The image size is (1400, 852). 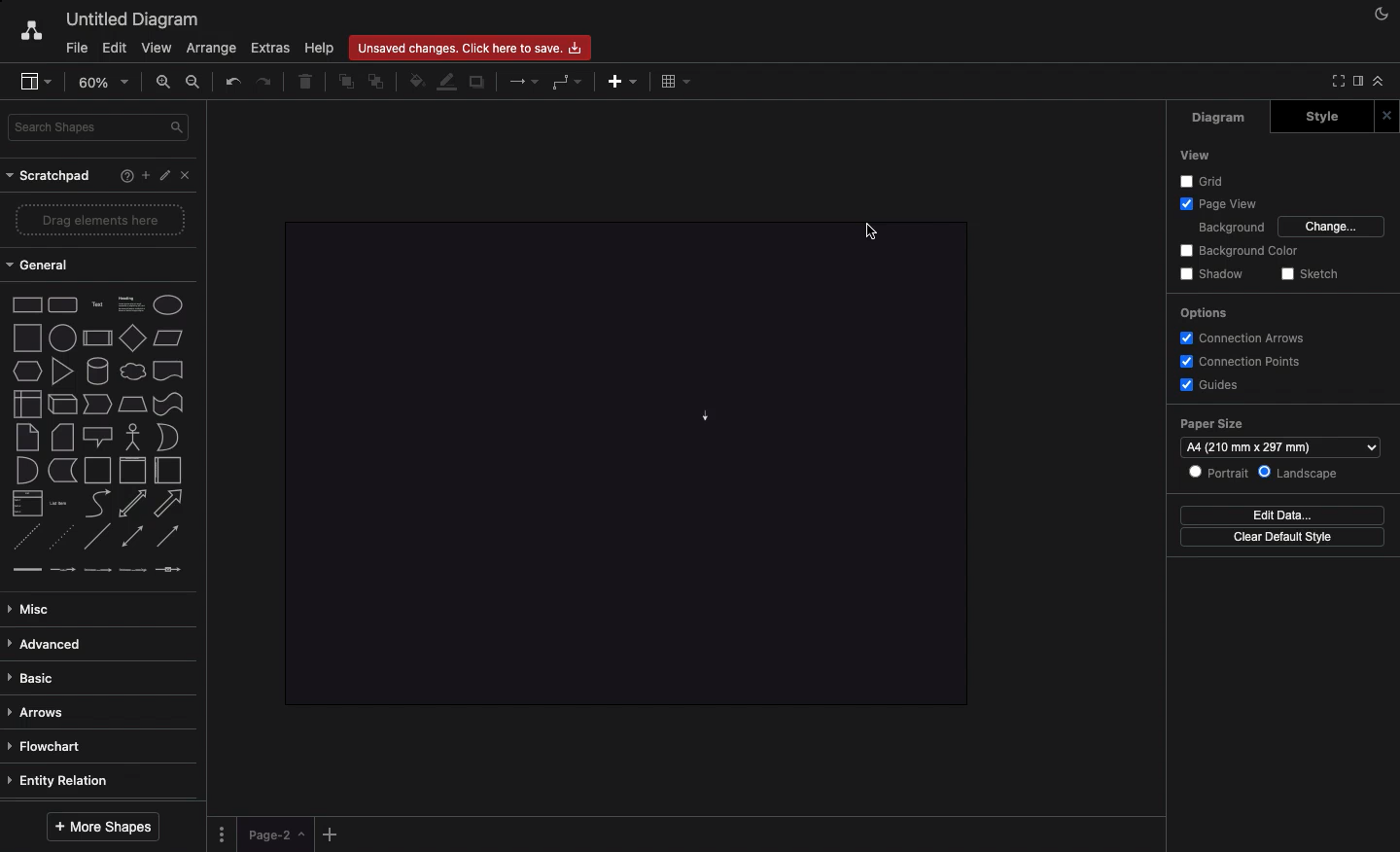 I want to click on Cursor, so click(x=877, y=233).